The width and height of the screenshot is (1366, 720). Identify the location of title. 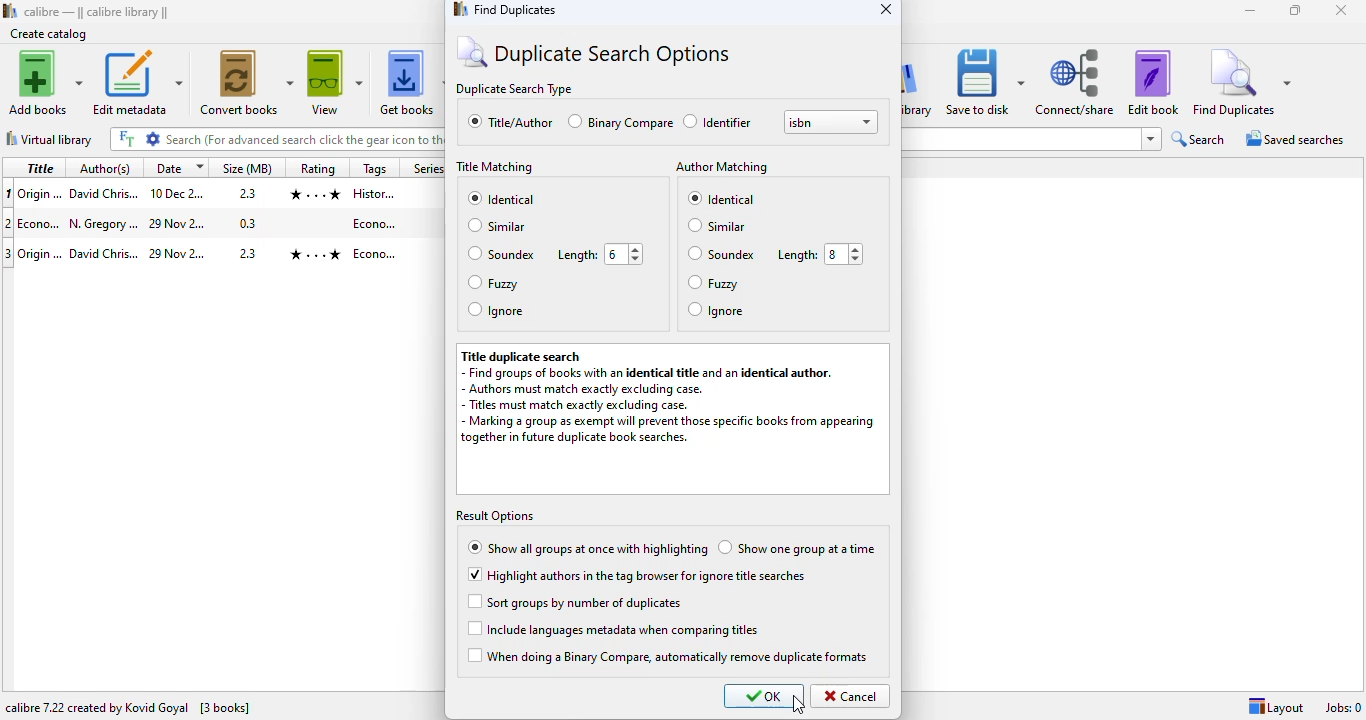
(40, 167).